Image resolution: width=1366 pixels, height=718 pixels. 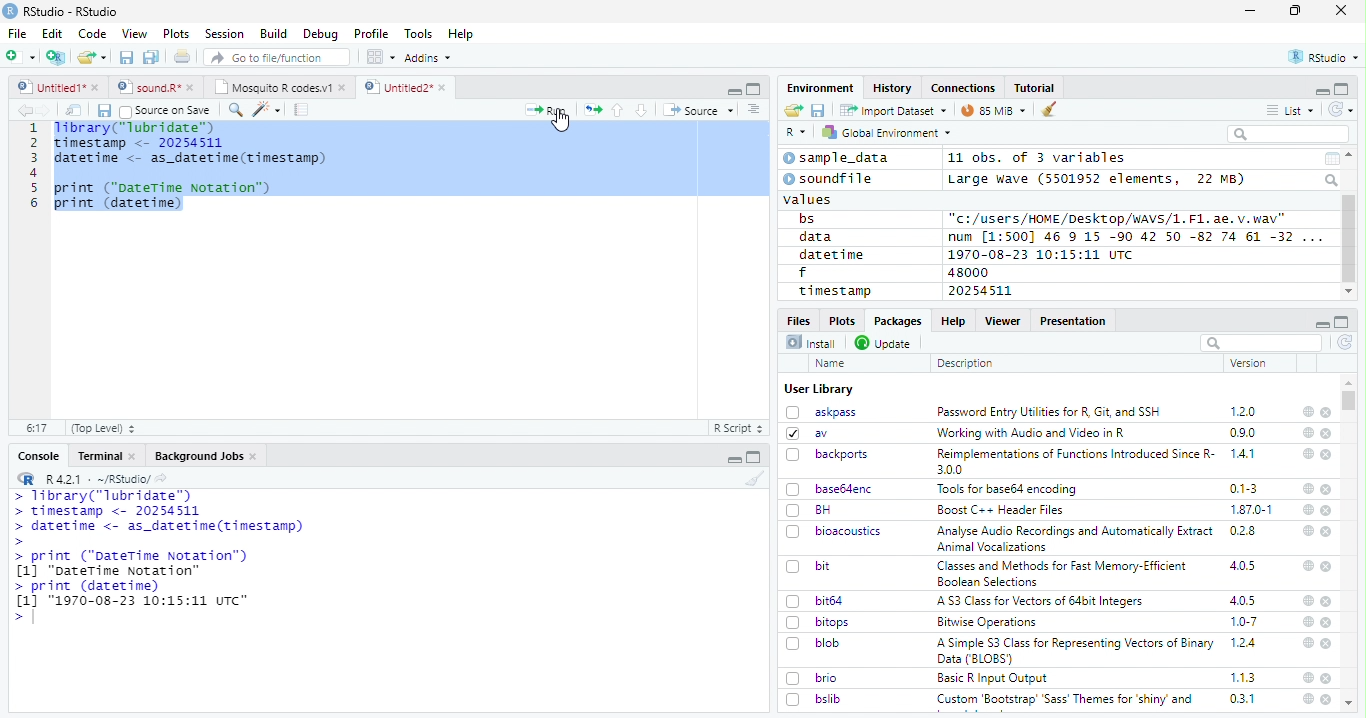 What do you see at coordinates (417, 34) in the screenshot?
I see `Tools` at bounding box center [417, 34].